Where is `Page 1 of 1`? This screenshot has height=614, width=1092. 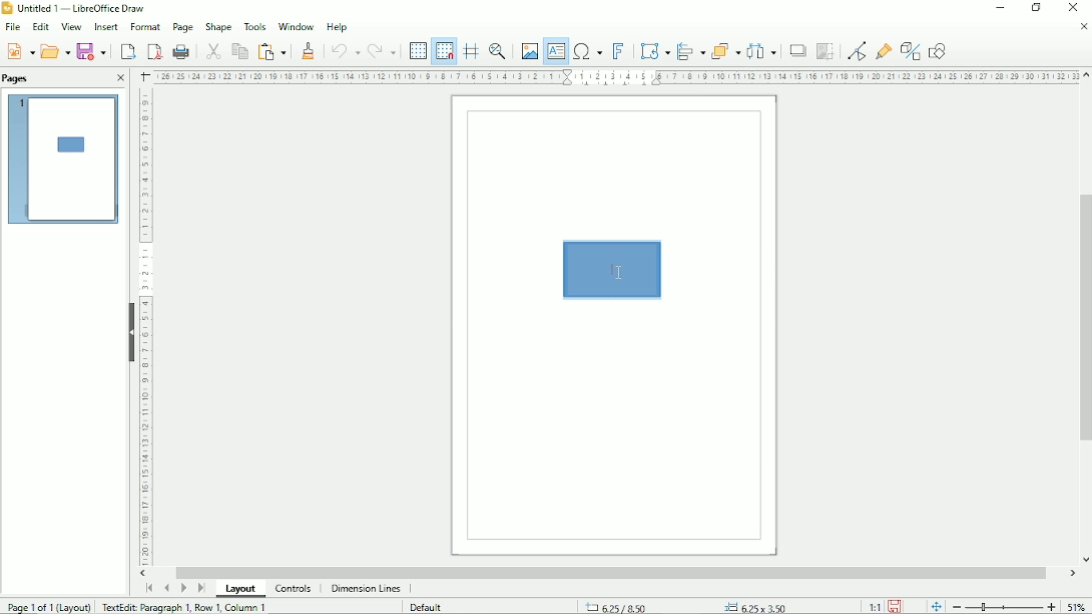 Page 1 of 1 is located at coordinates (49, 606).